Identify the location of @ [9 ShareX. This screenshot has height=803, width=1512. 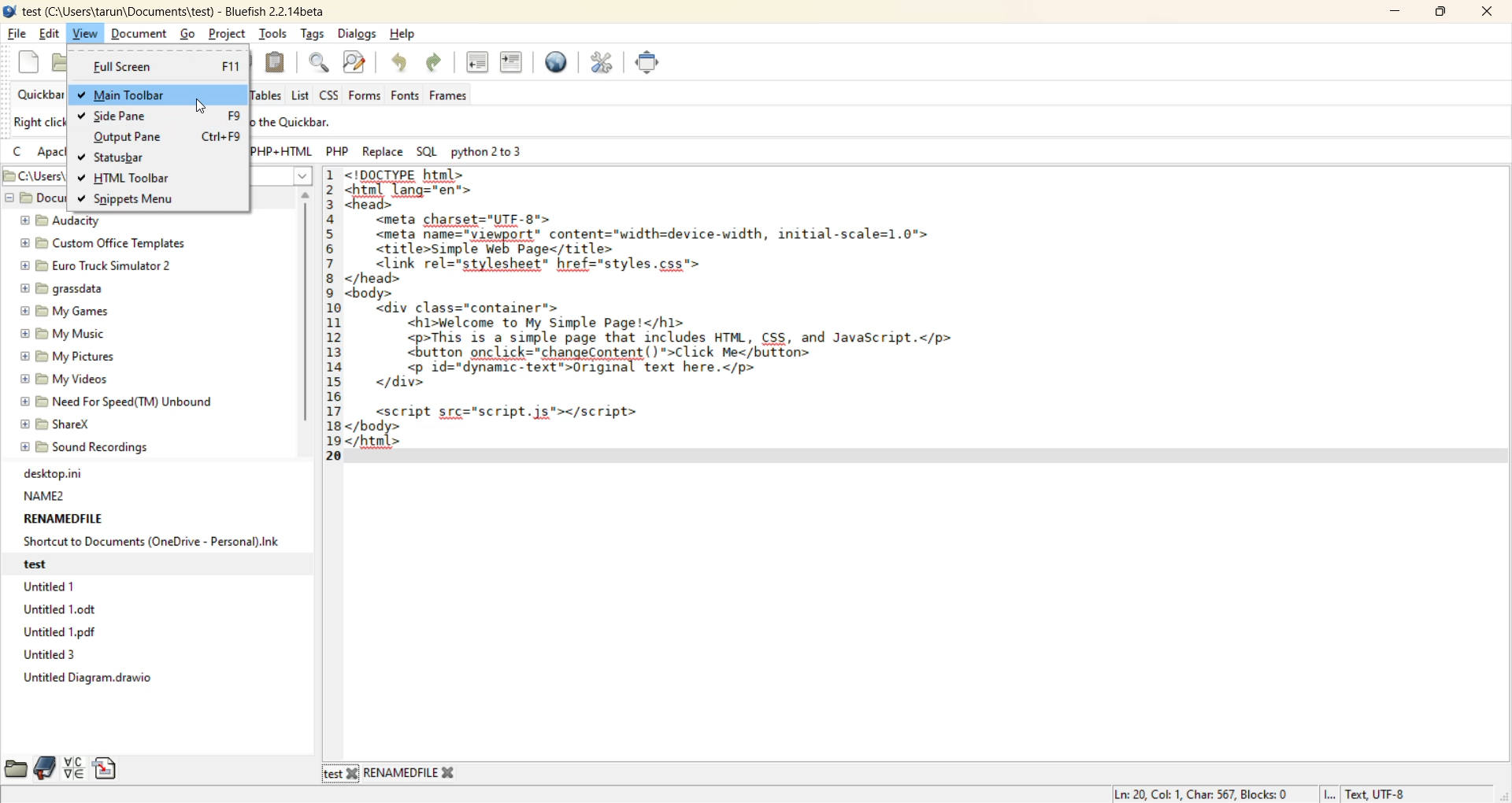
(60, 426).